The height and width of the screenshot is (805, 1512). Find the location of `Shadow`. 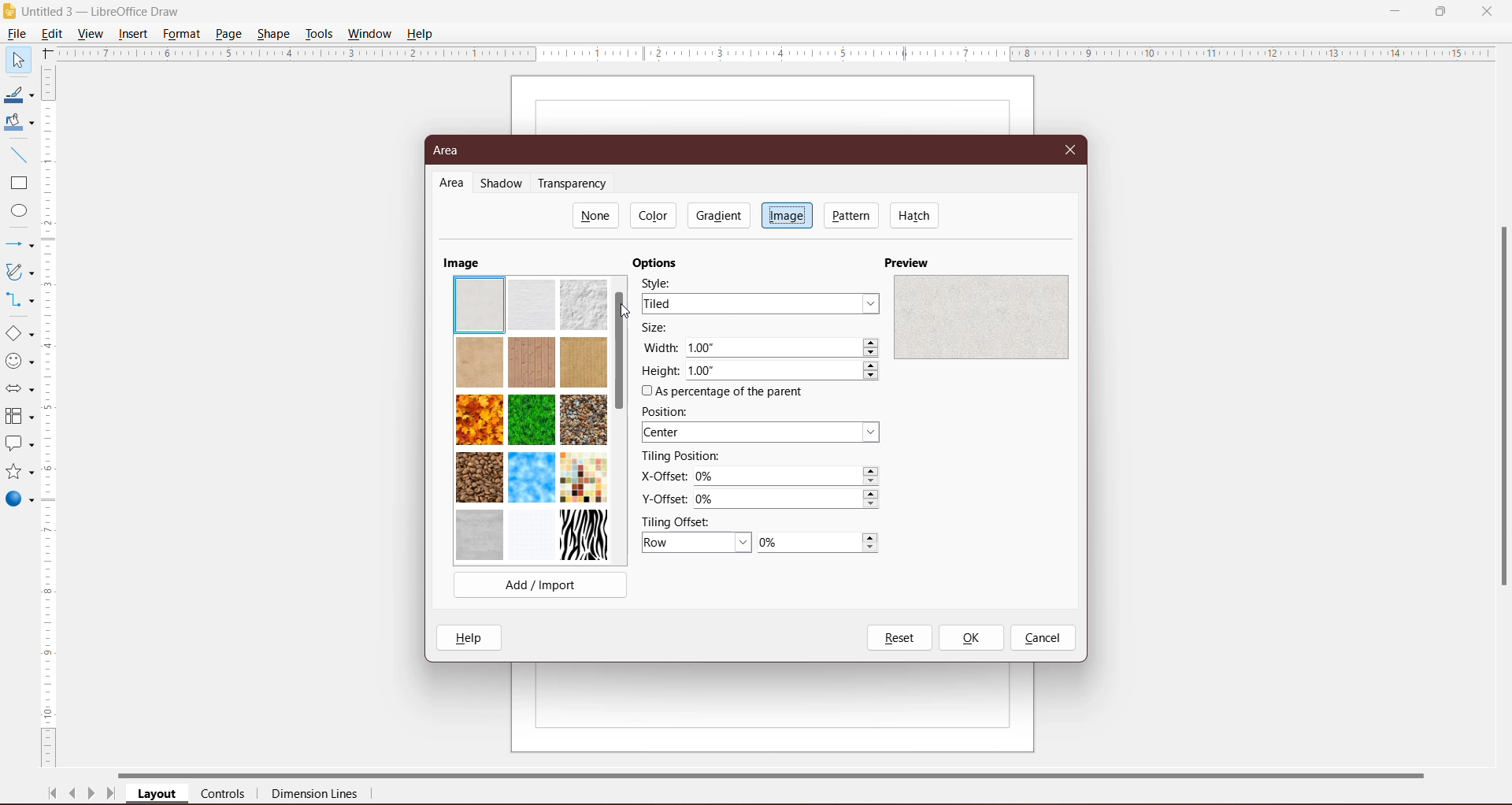

Shadow is located at coordinates (504, 184).